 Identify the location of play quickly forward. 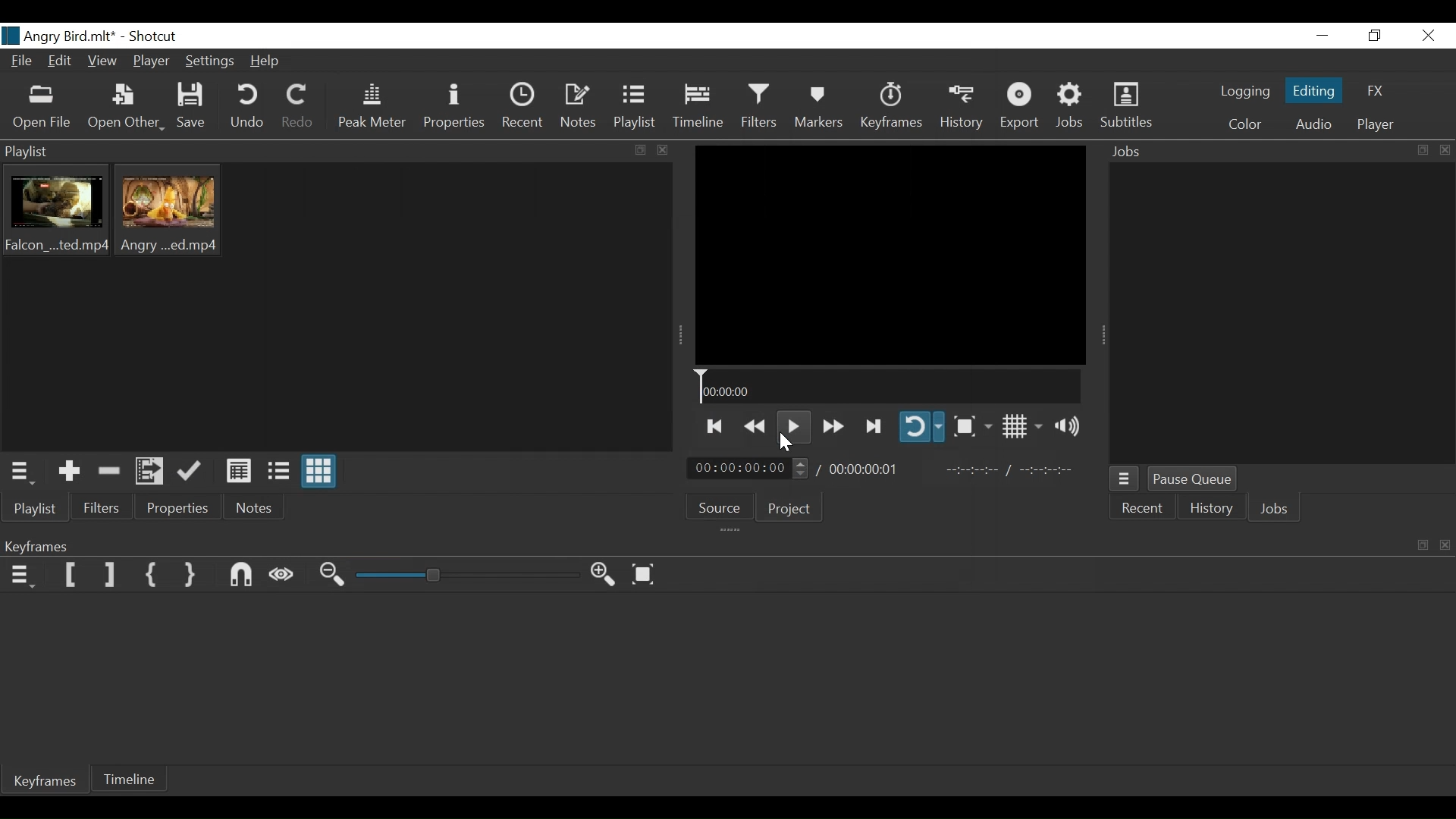
(835, 425).